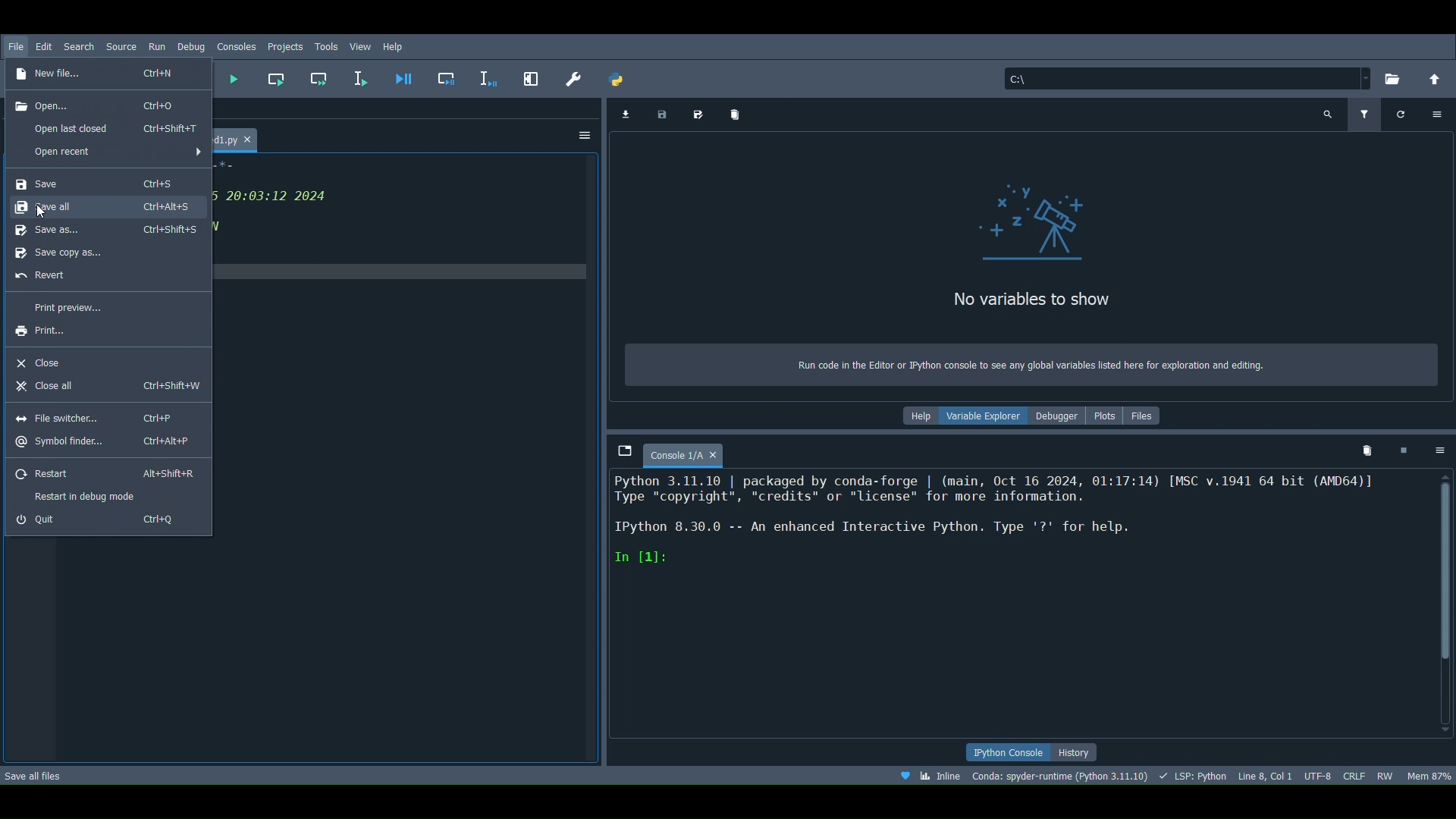 This screenshot has width=1456, height=819. Describe the element at coordinates (1401, 115) in the screenshot. I see `Refresh variables (Ctrl + R)` at that location.